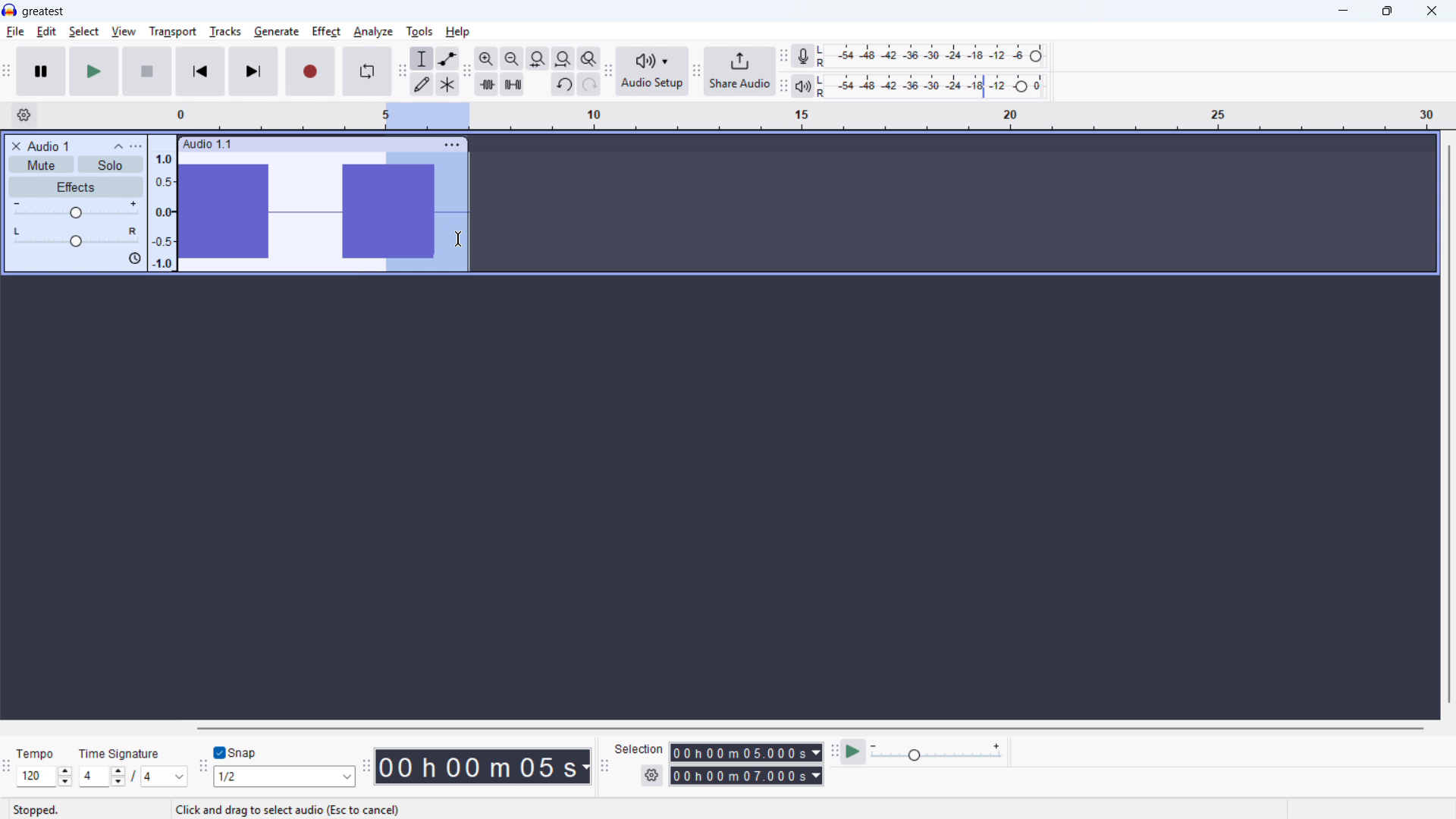 This screenshot has height=819, width=1456. I want to click on Edit toolbar , so click(466, 71).